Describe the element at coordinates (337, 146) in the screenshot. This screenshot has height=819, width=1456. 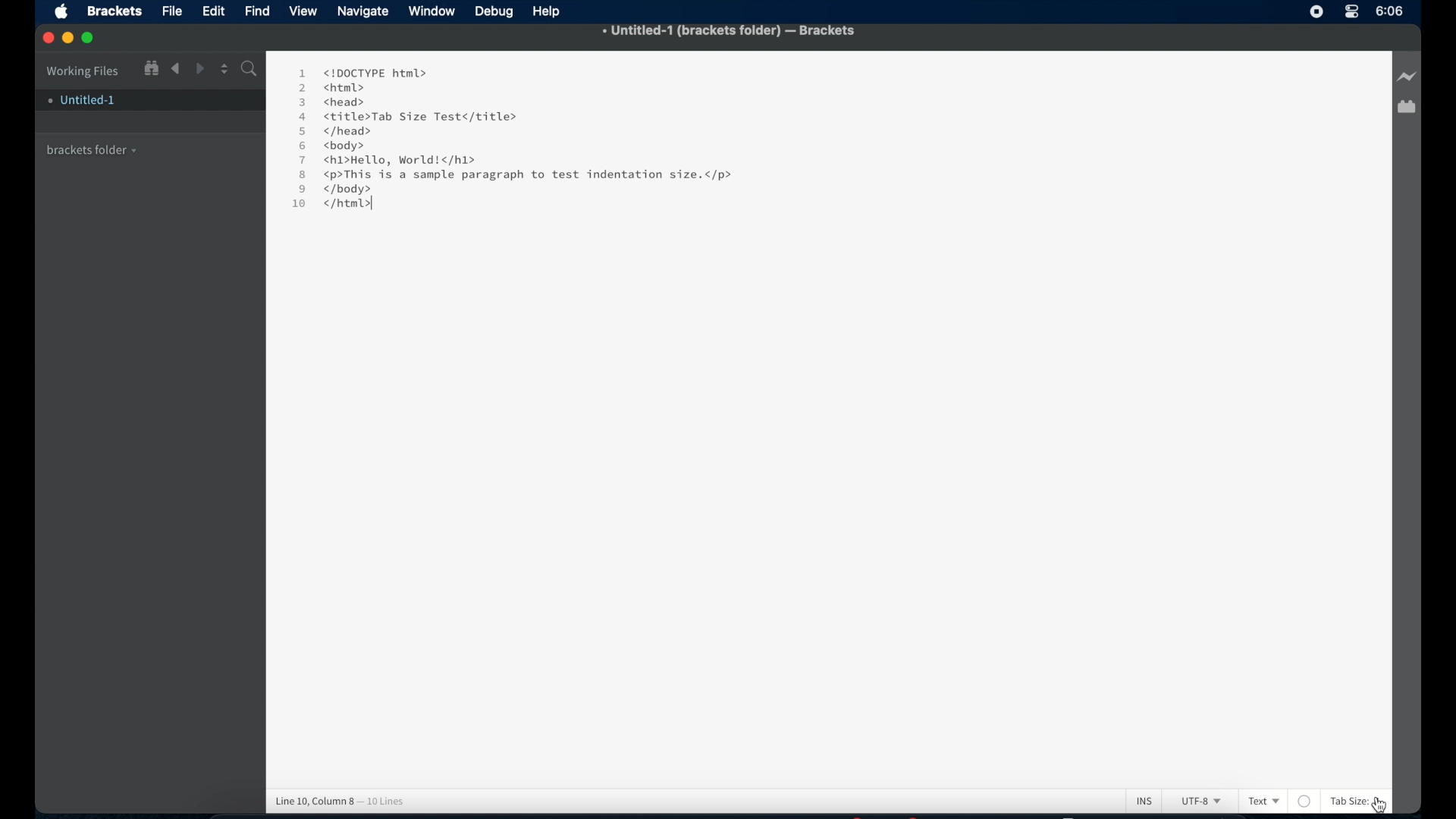
I see `6 <body>` at that location.